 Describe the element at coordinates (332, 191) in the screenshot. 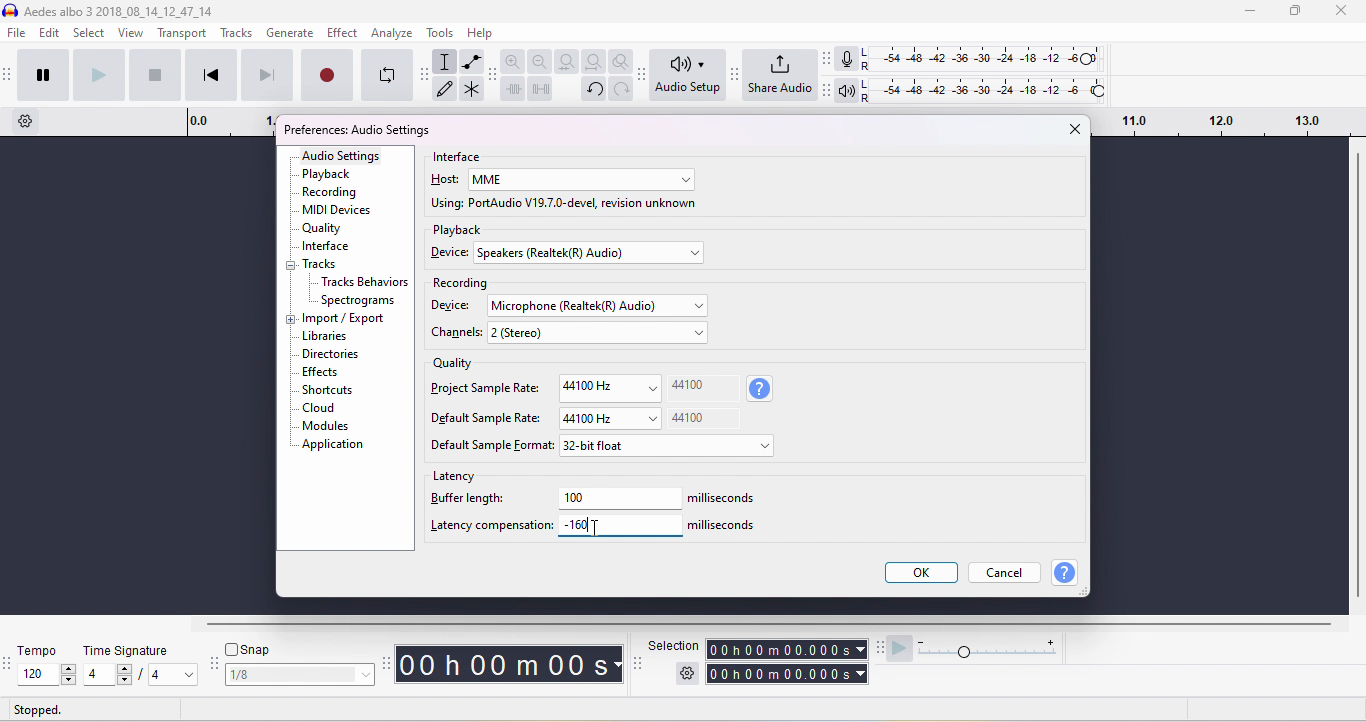

I see `recording` at that location.